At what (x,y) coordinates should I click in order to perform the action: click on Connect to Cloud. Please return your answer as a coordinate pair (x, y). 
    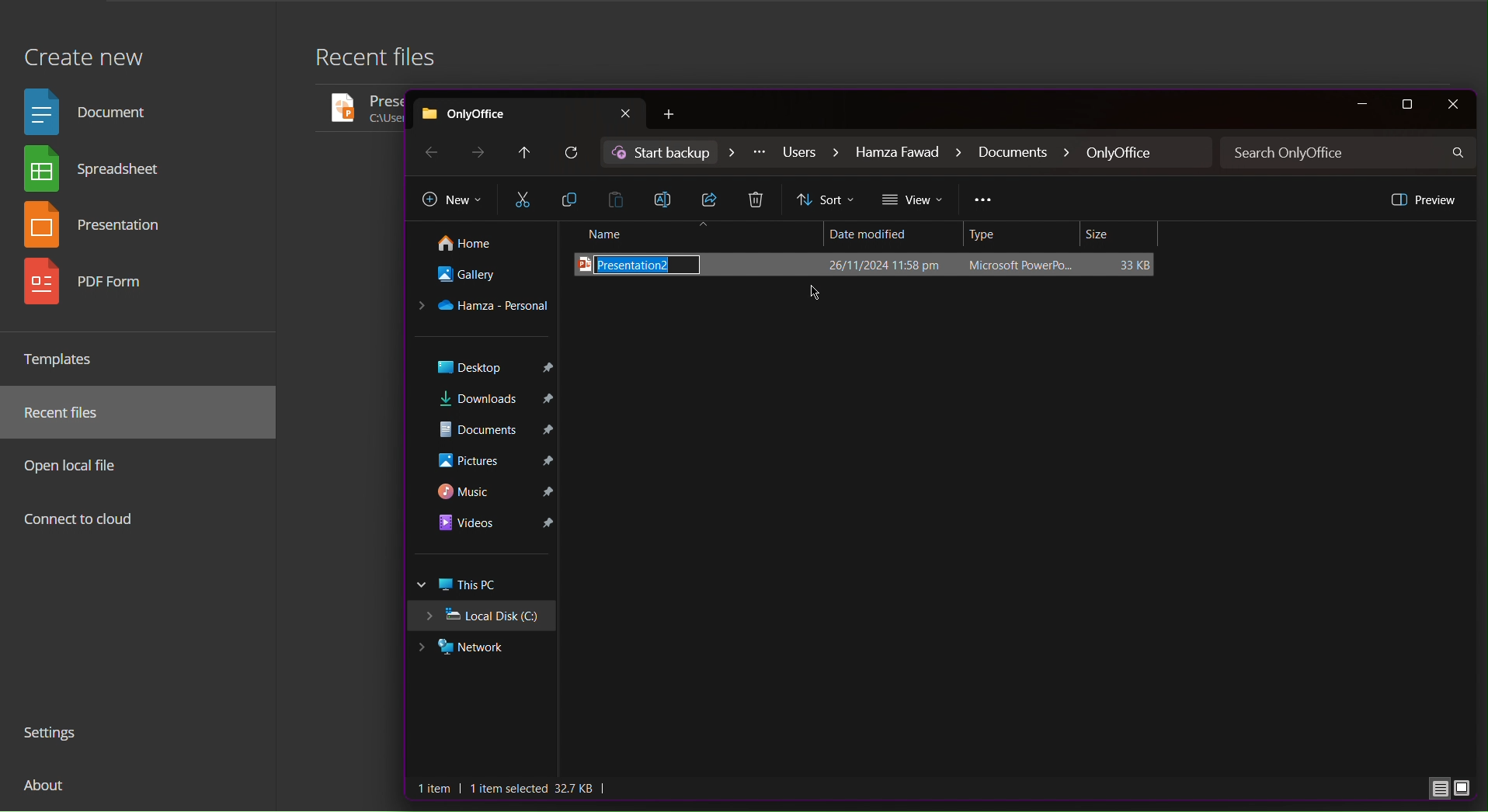
    Looking at the image, I should click on (80, 521).